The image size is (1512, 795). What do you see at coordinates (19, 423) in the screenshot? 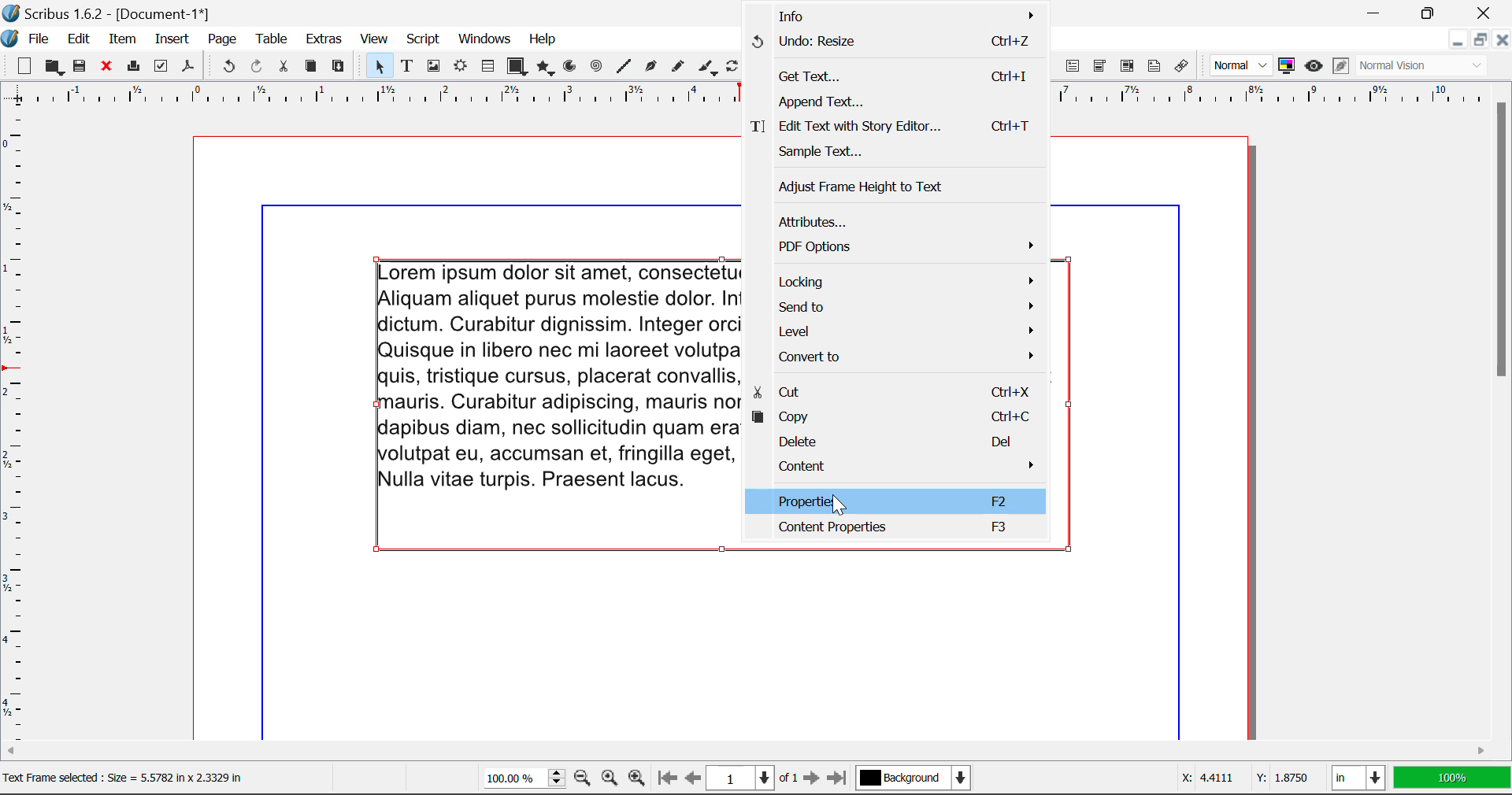
I see `Horizontal Page Margins` at bounding box center [19, 423].